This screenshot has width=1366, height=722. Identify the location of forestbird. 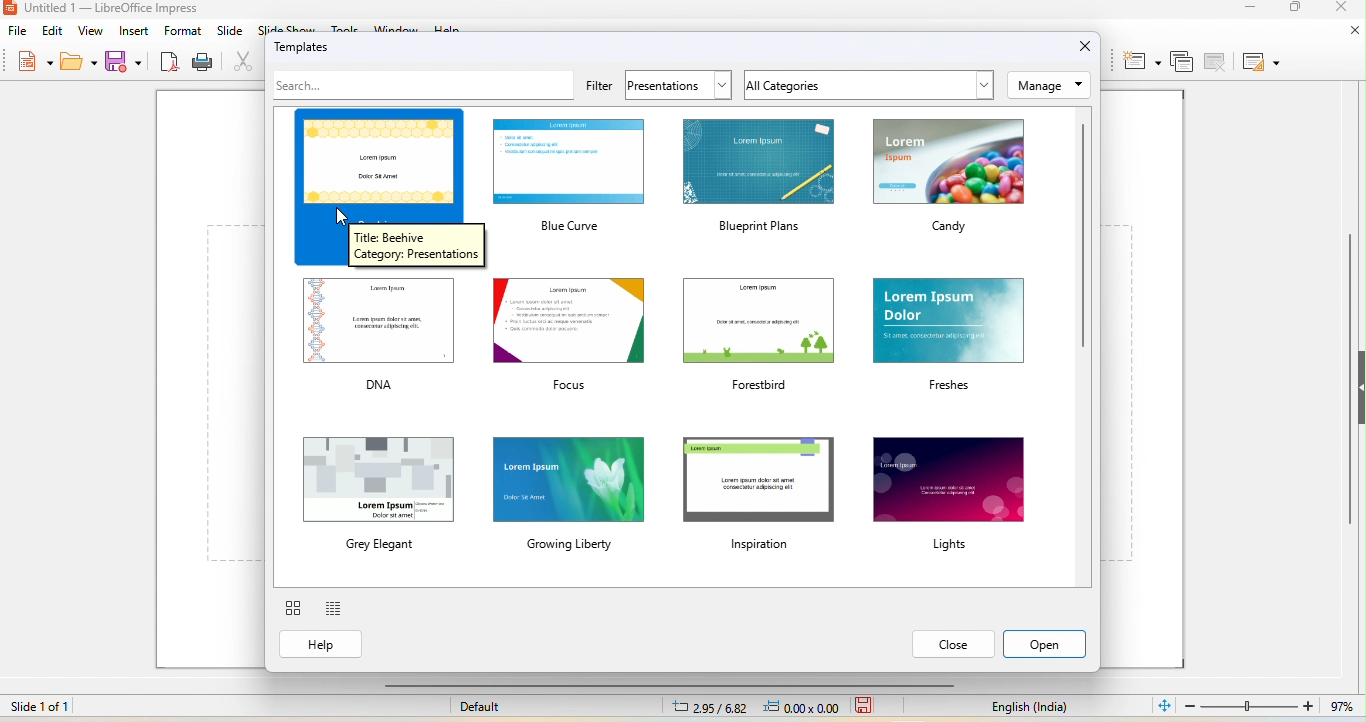
(759, 336).